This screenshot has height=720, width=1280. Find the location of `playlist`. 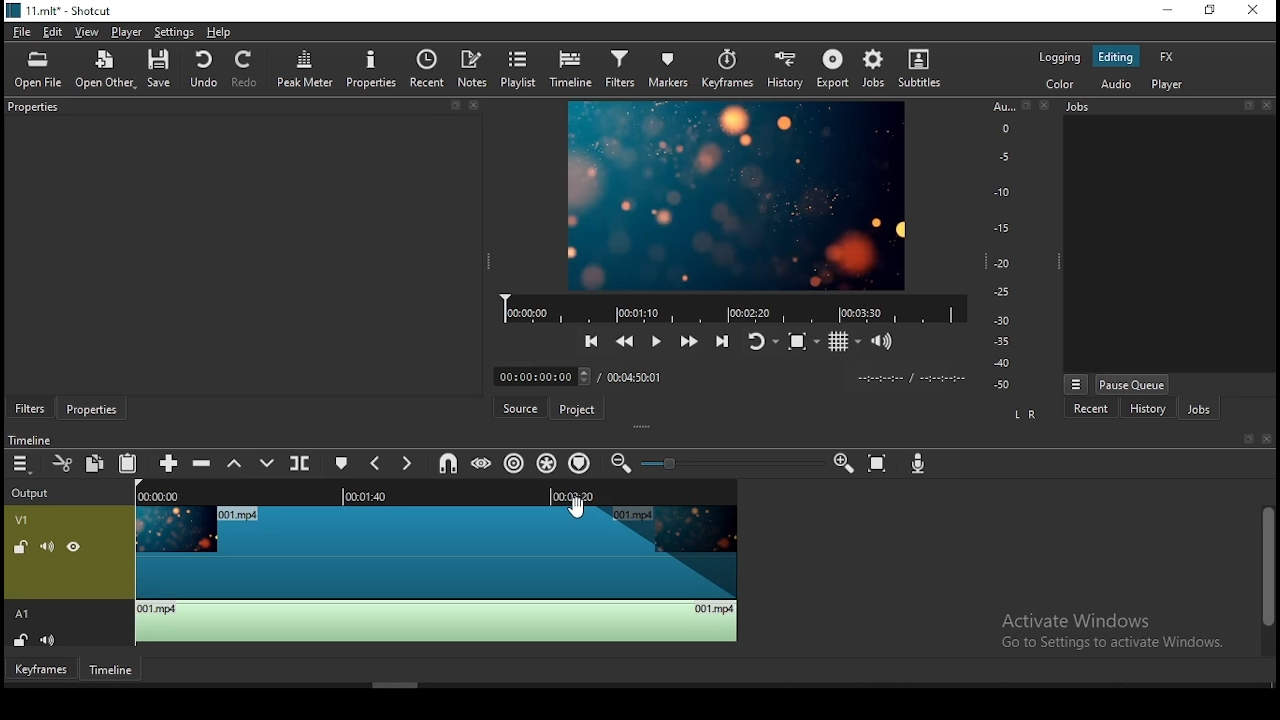

playlist is located at coordinates (522, 72).